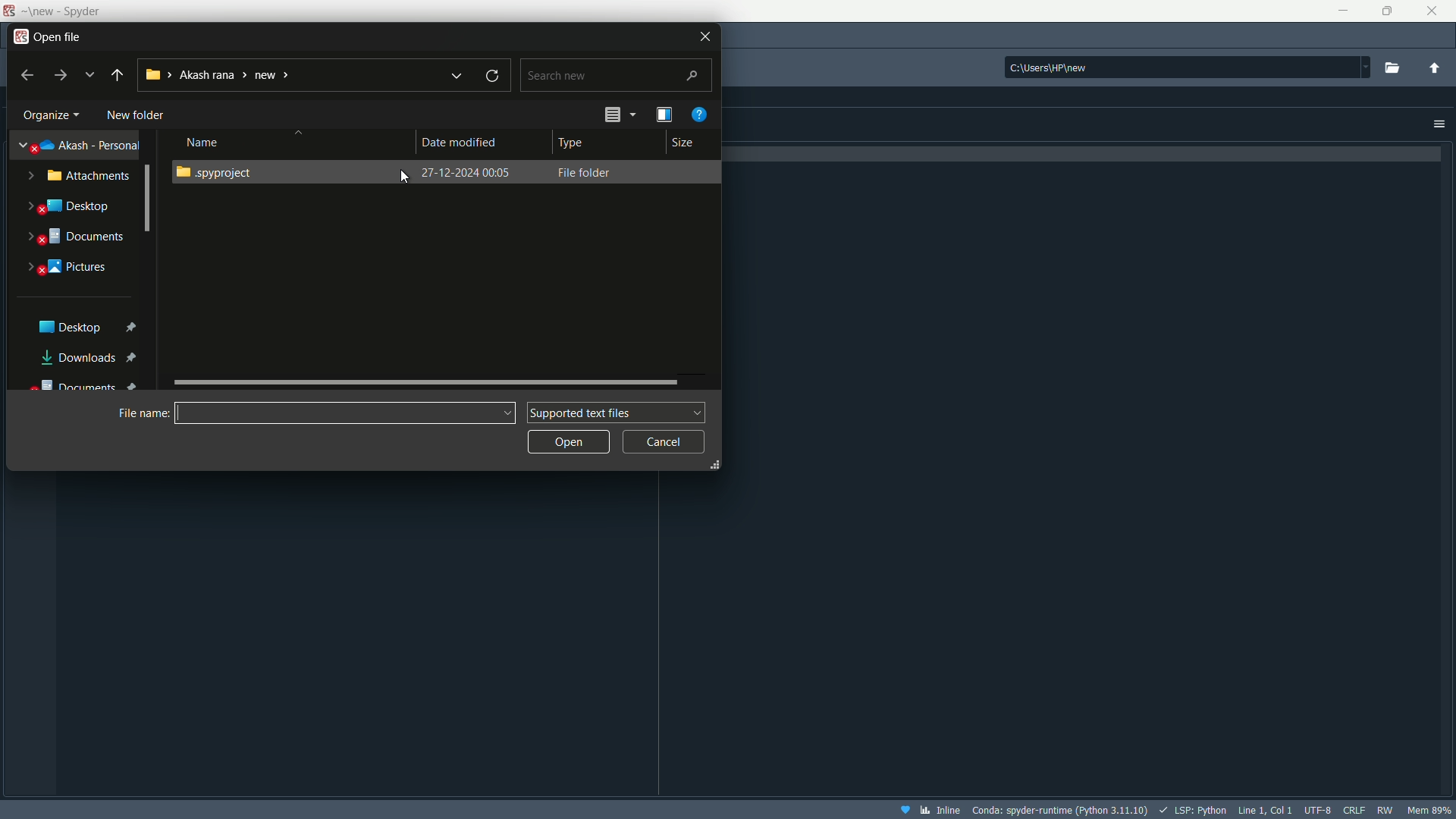 The height and width of the screenshot is (819, 1456). Describe the element at coordinates (142, 413) in the screenshot. I see `File name` at that location.